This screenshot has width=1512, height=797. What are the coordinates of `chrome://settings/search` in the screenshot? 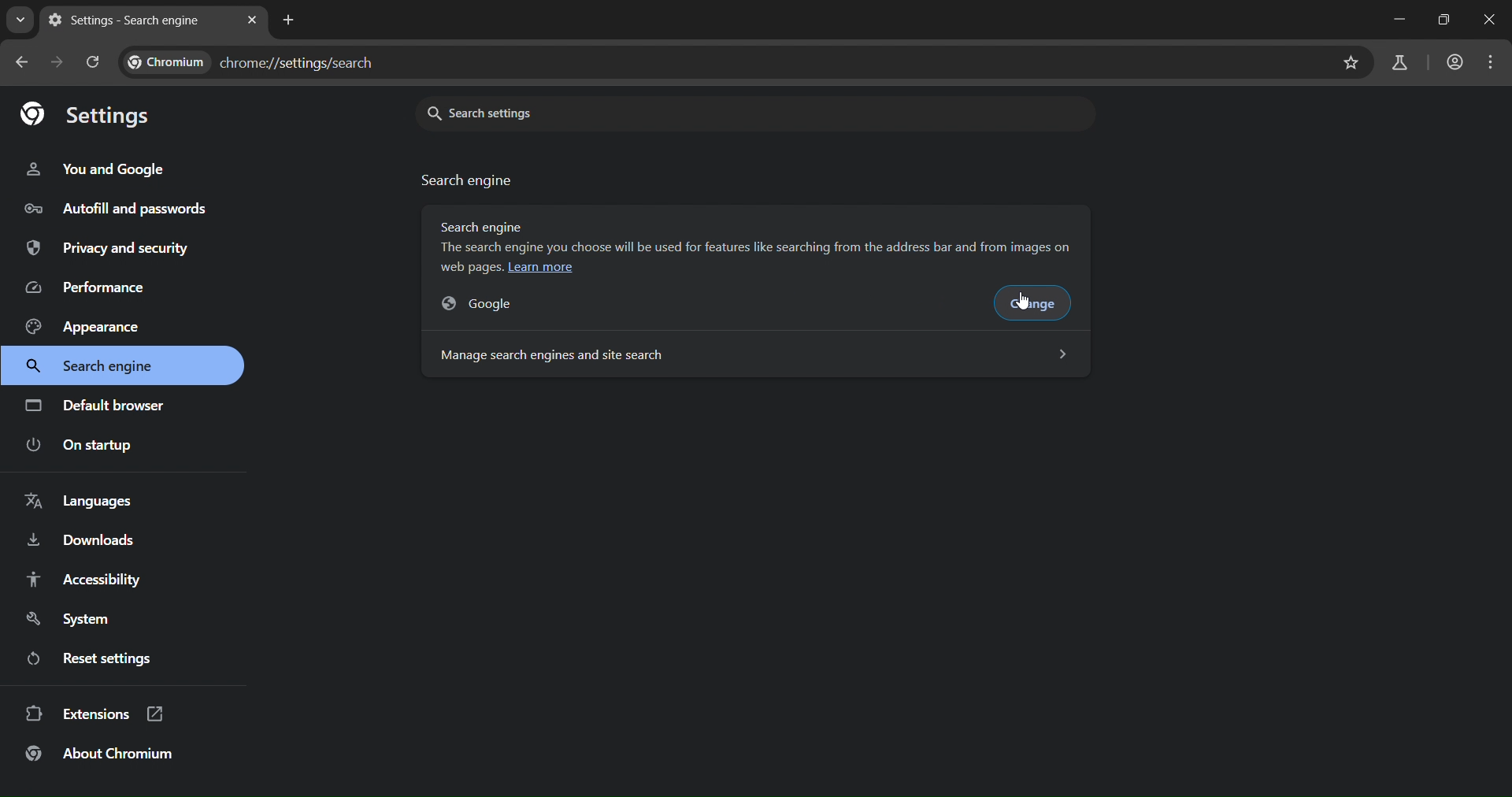 It's located at (261, 59).